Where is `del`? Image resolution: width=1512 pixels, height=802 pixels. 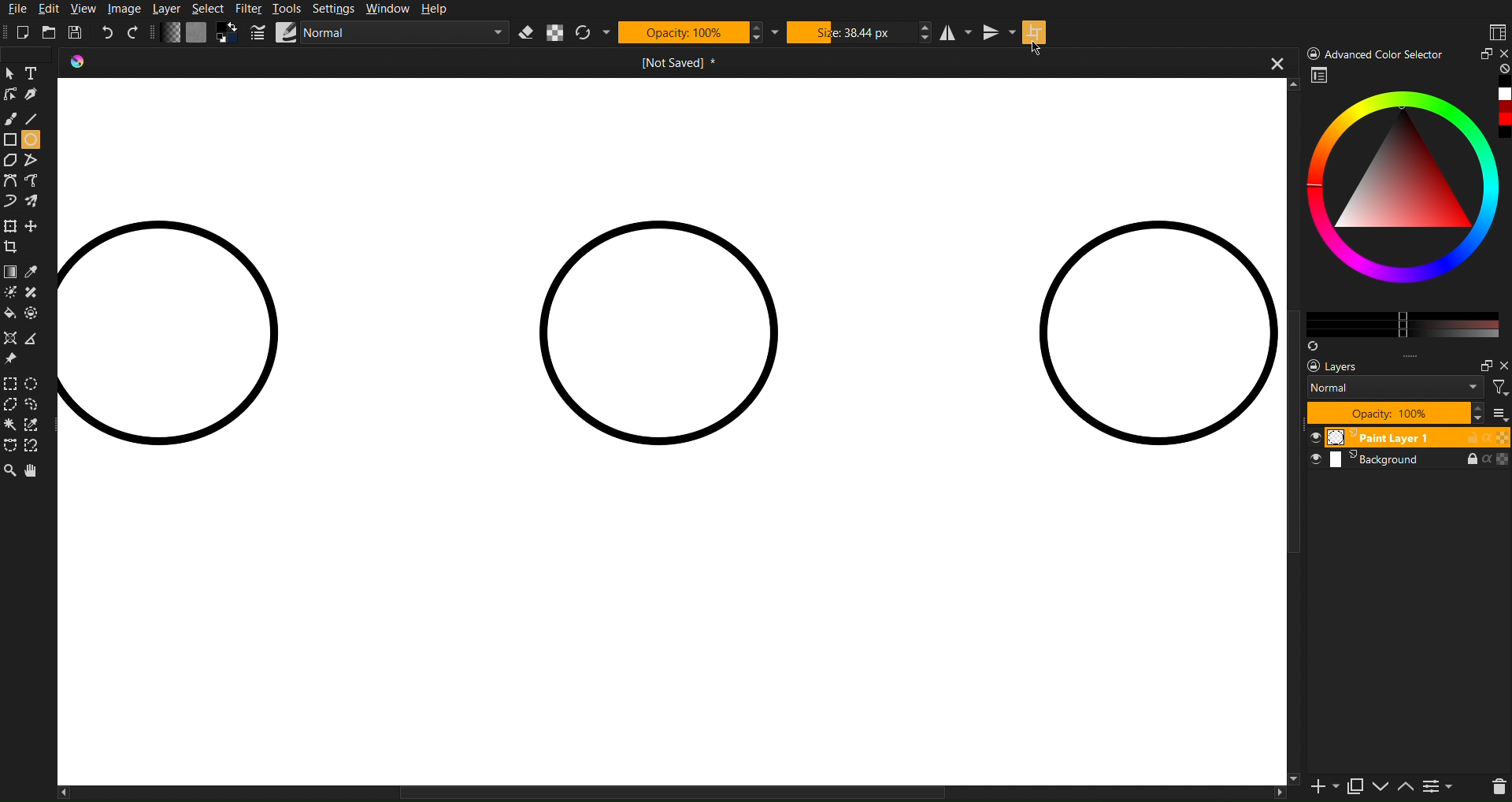 del is located at coordinates (1503, 789).